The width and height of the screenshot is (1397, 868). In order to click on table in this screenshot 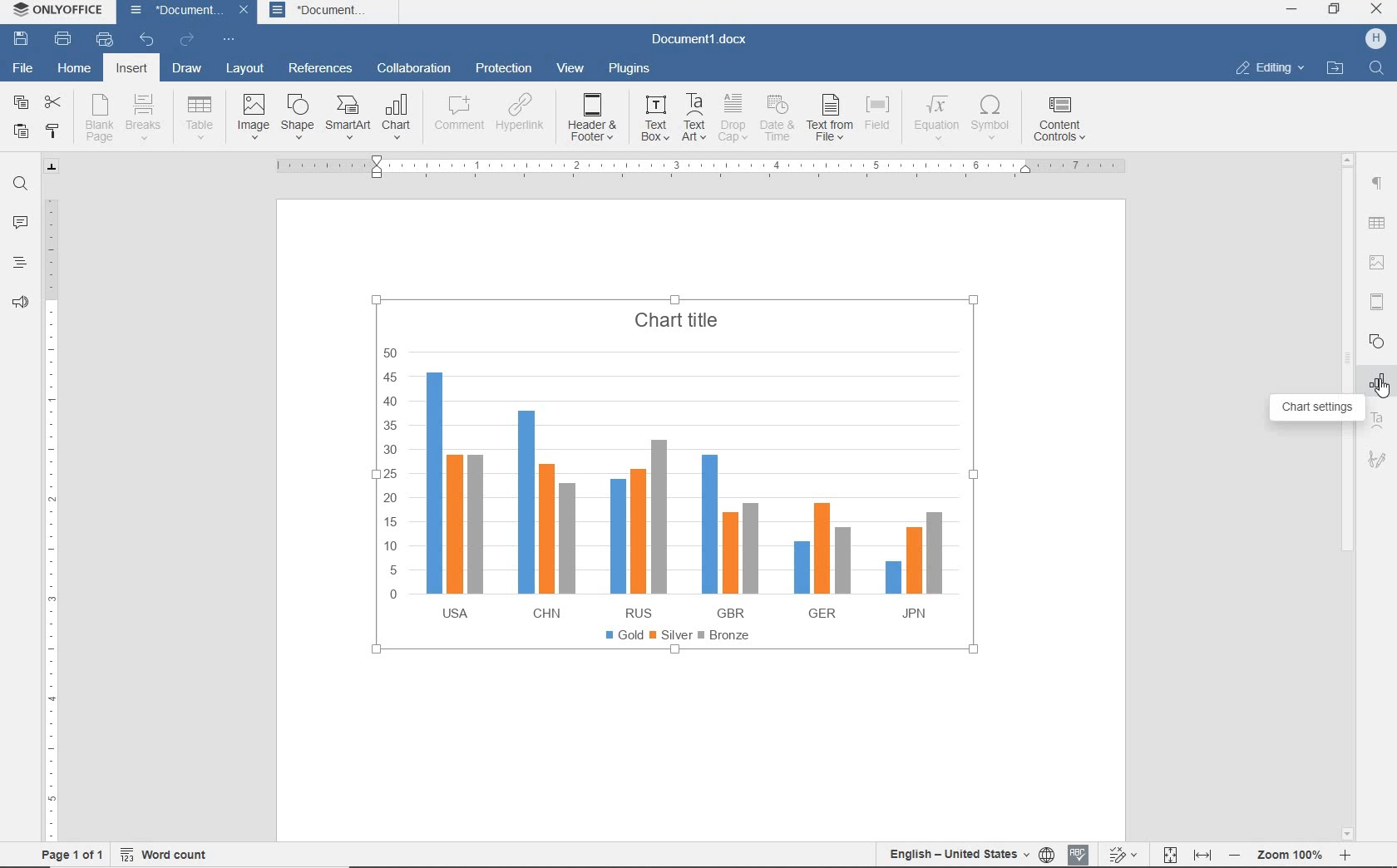, I will do `click(200, 117)`.